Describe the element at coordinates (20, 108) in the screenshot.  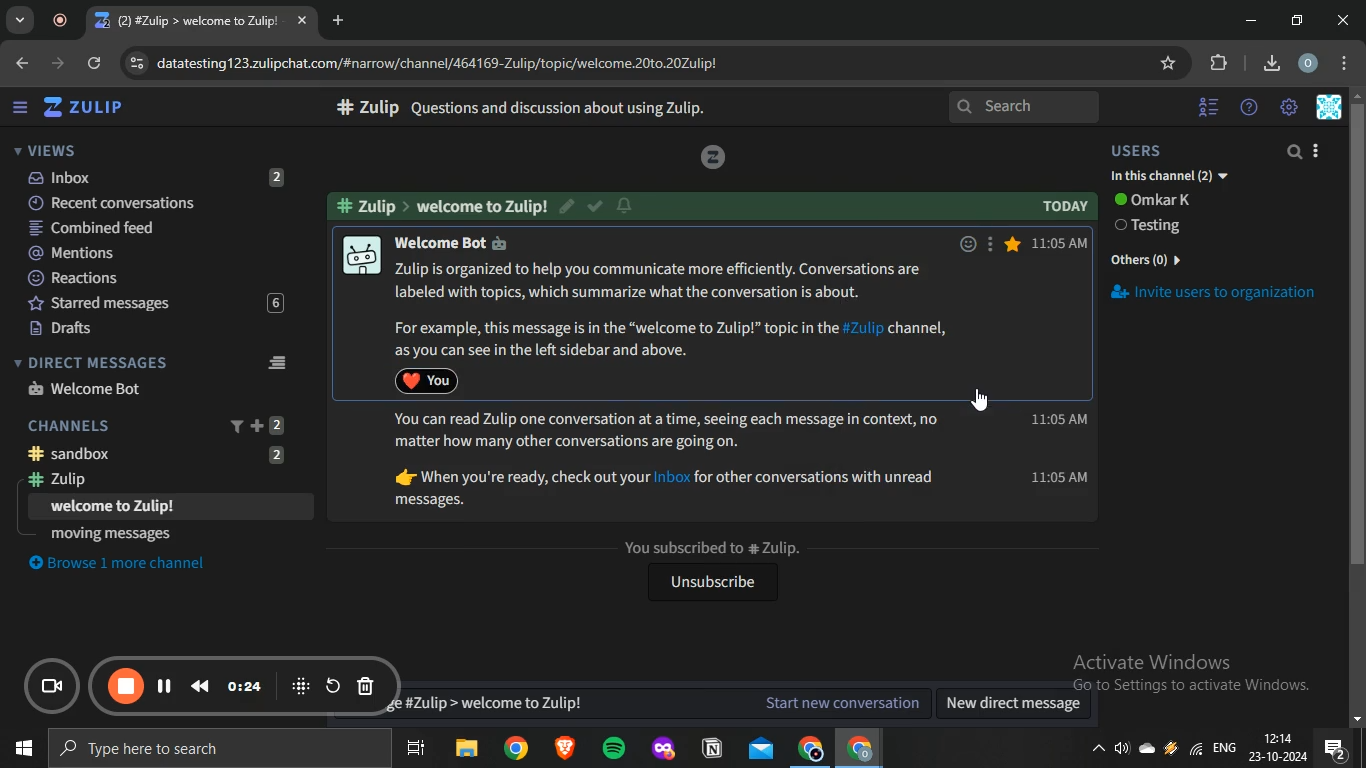
I see `sidebar` at that location.